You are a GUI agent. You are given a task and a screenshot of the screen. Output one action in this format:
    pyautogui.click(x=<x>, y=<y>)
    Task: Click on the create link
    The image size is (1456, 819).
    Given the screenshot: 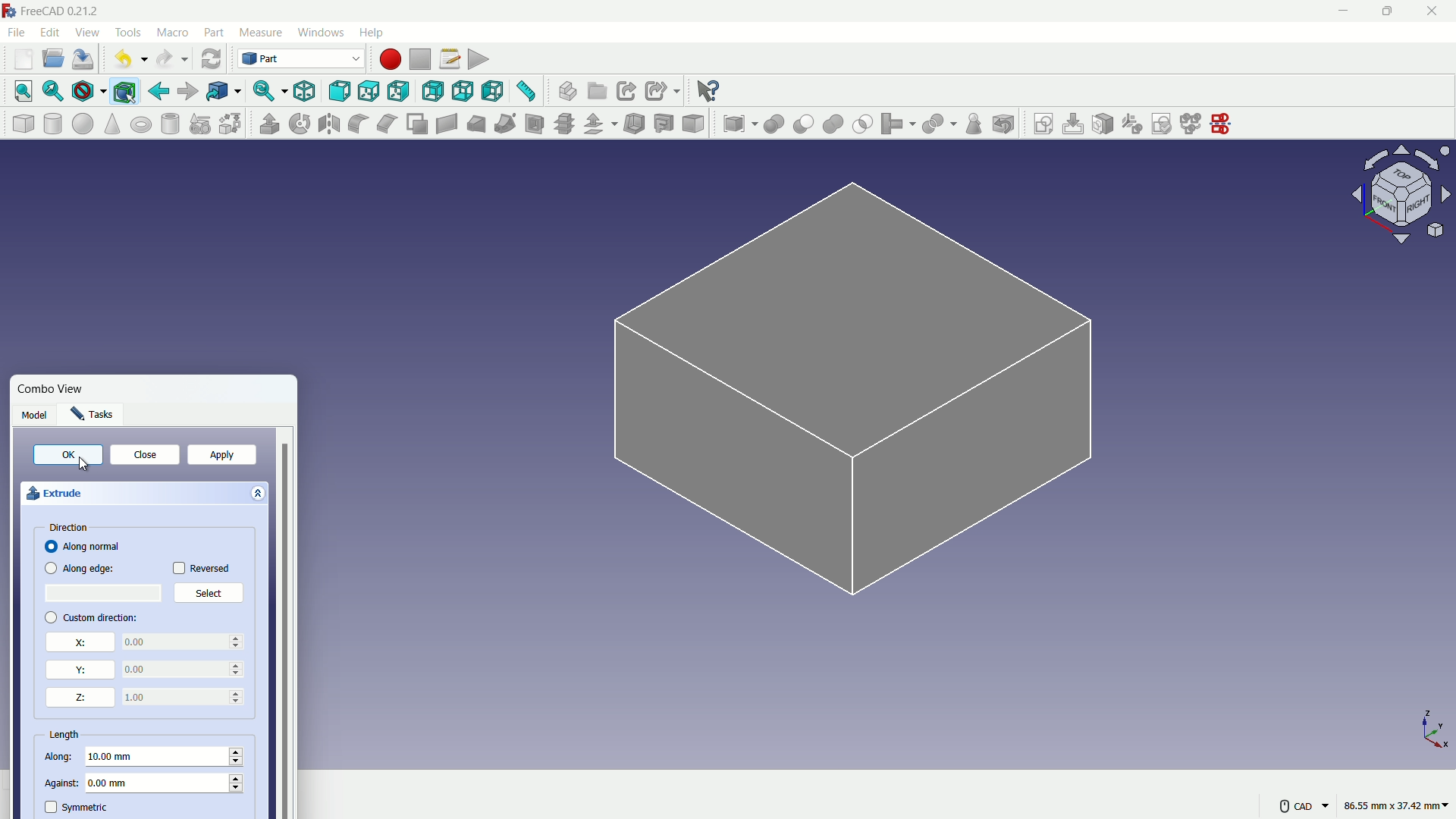 What is the action you would take?
    pyautogui.click(x=627, y=91)
    